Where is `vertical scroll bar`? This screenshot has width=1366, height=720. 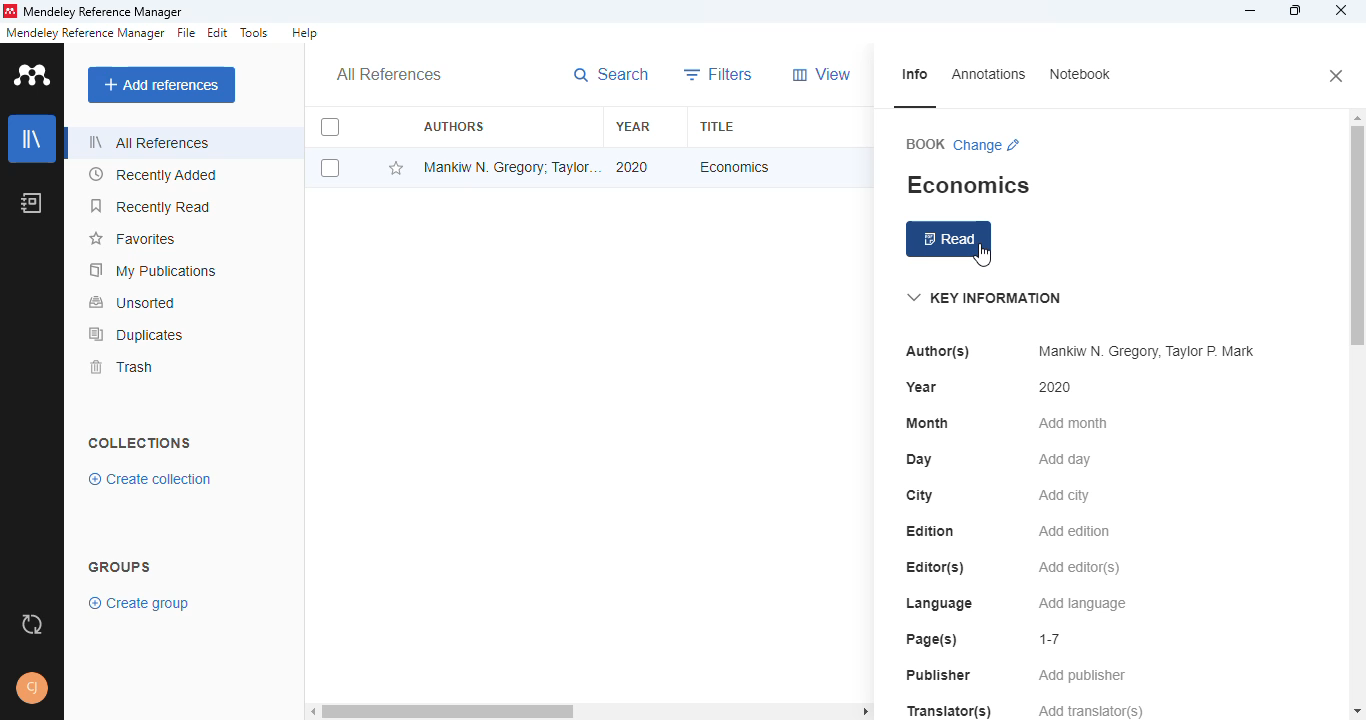
vertical scroll bar is located at coordinates (1357, 237).